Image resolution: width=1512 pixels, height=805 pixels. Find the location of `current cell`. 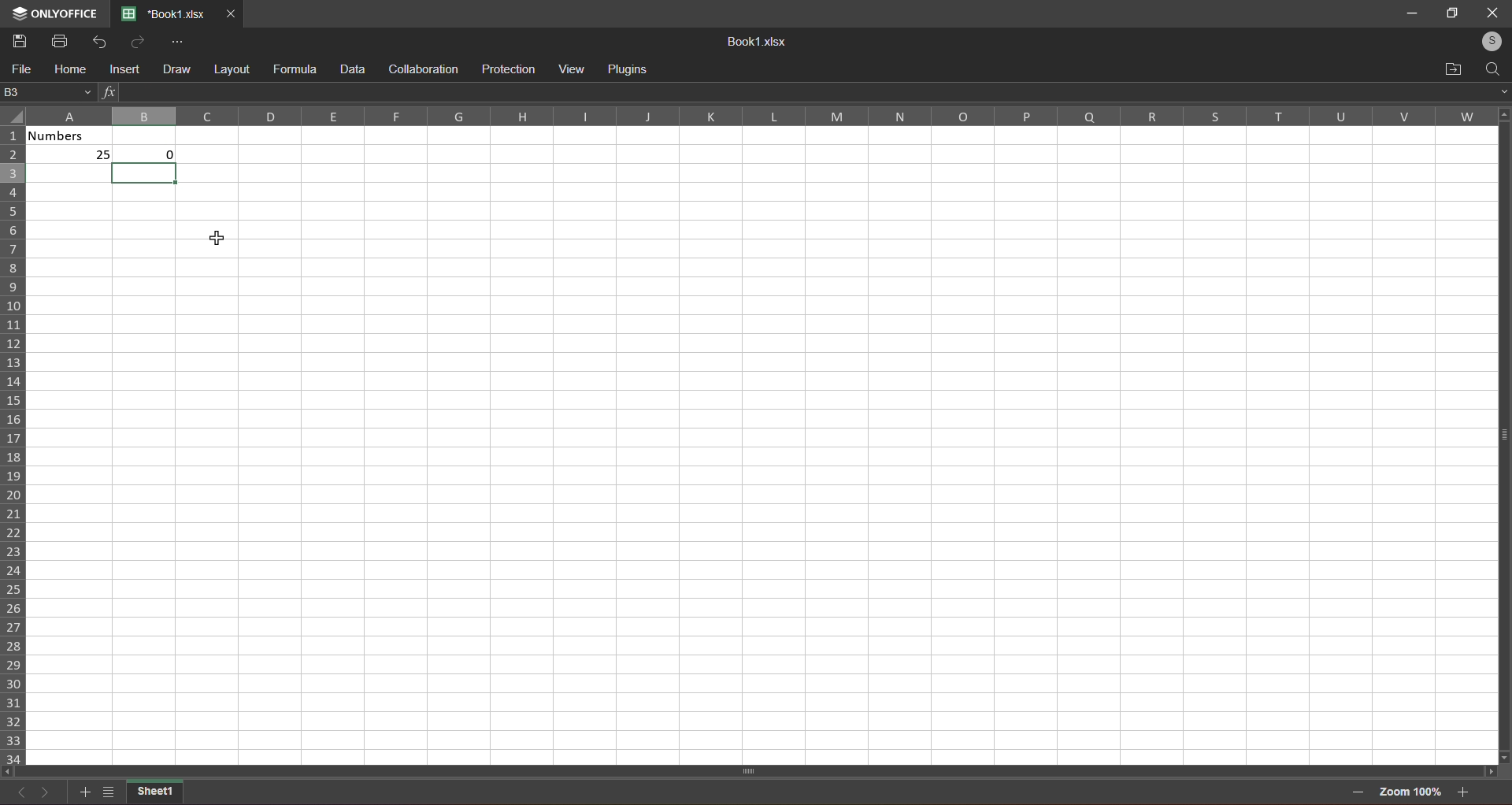

current cell is located at coordinates (47, 93).